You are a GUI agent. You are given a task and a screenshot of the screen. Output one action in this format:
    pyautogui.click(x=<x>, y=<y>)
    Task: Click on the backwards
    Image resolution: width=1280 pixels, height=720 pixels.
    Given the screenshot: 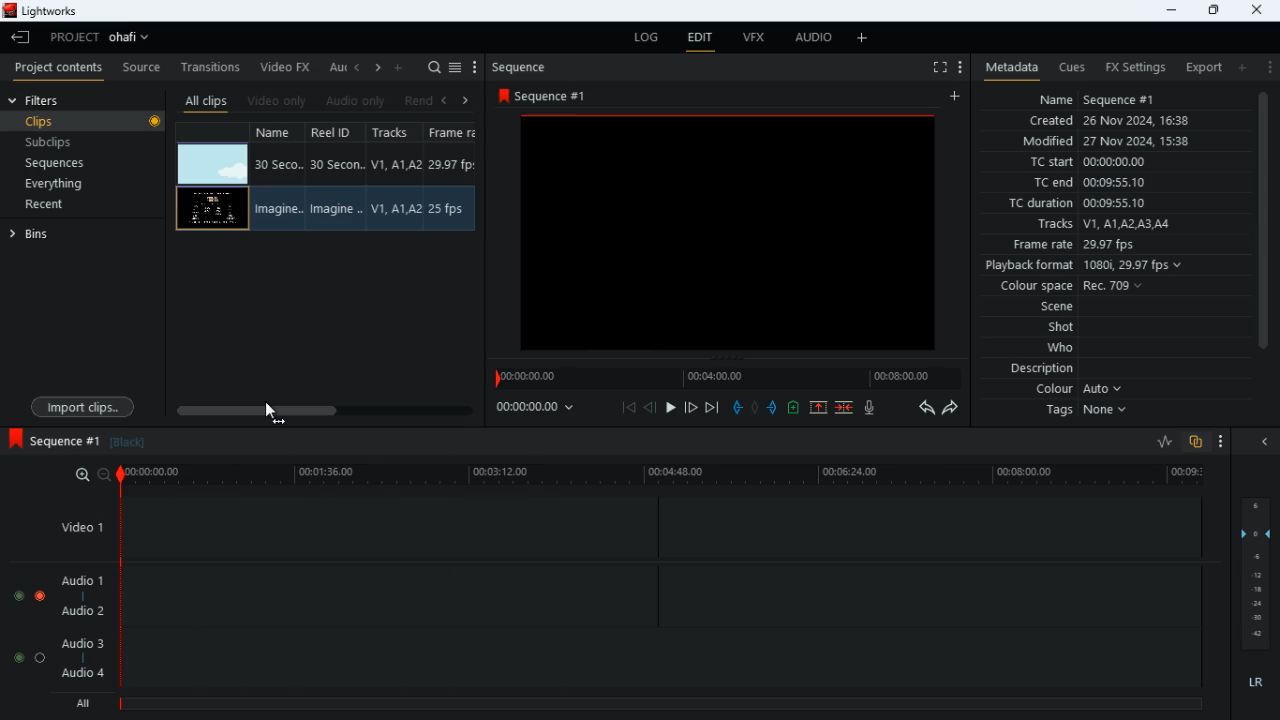 What is the action you would take?
    pyautogui.click(x=925, y=408)
    